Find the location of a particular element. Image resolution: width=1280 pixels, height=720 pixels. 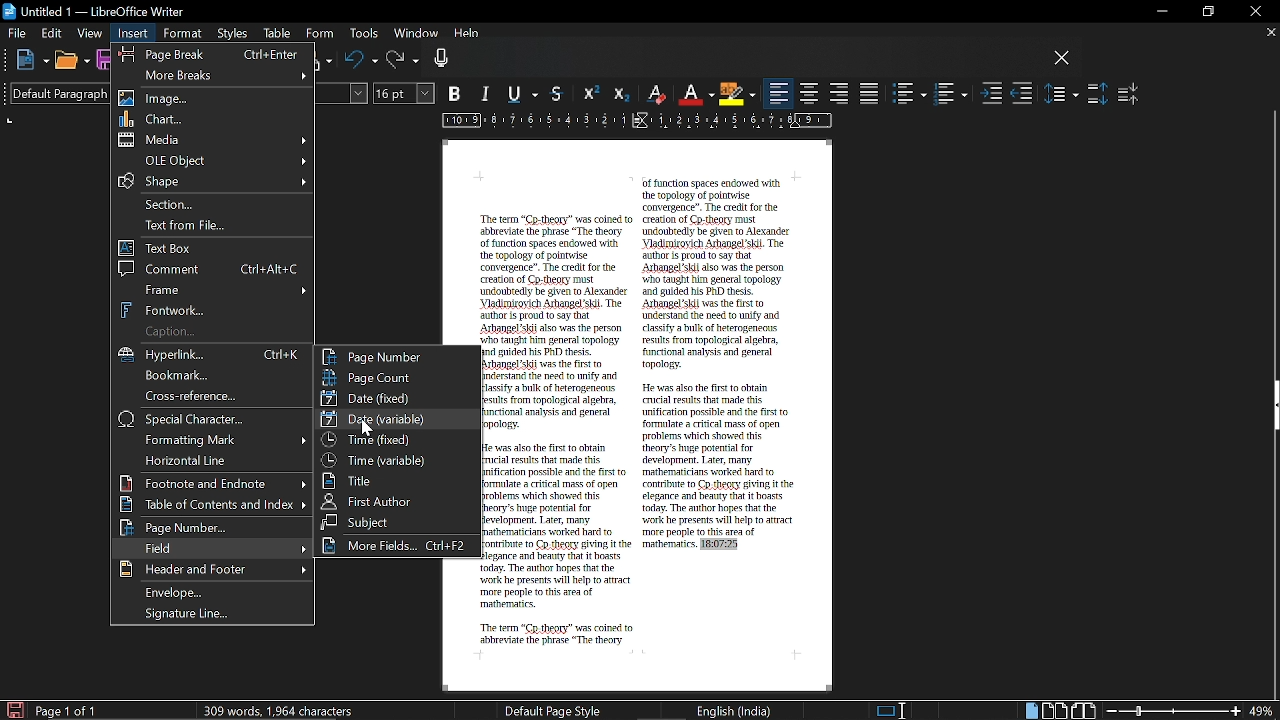

Envelope is located at coordinates (215, 592).